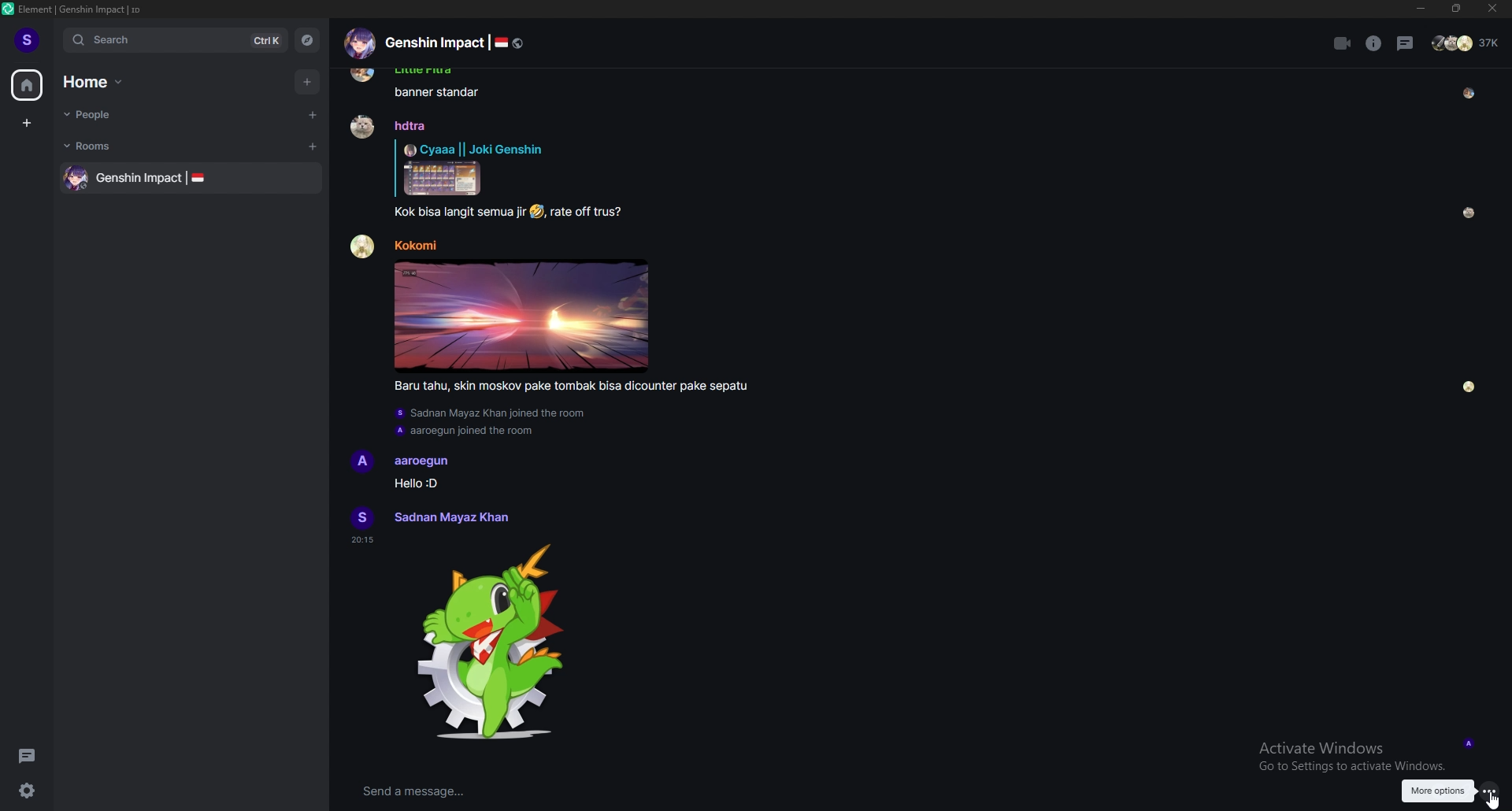  What do you see at coordinates (395, 168) in the screenshot?
I see `Indicates replying in thread` at bounding box center [395, 168].